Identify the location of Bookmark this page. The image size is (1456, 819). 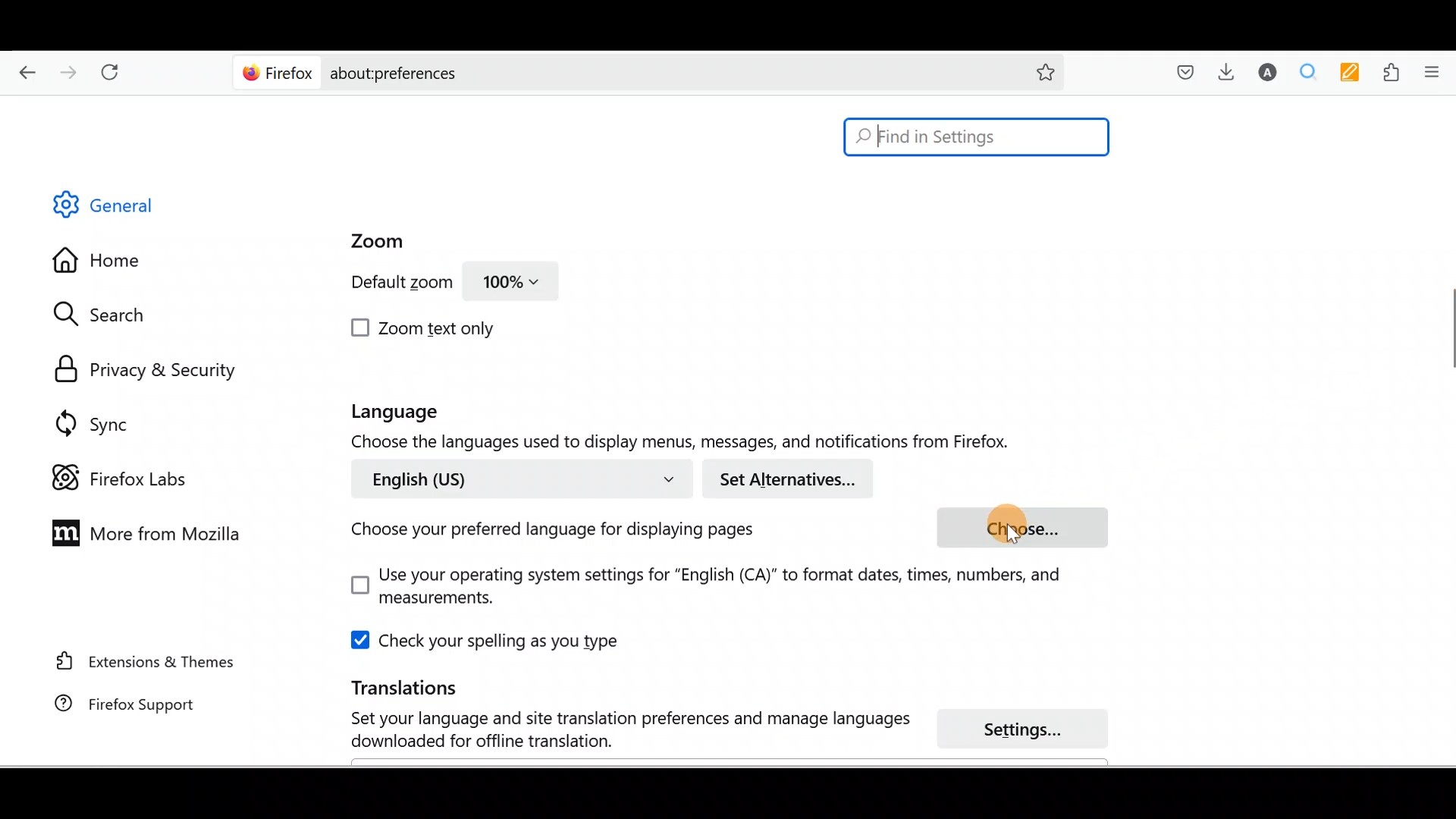
(1034, 71).